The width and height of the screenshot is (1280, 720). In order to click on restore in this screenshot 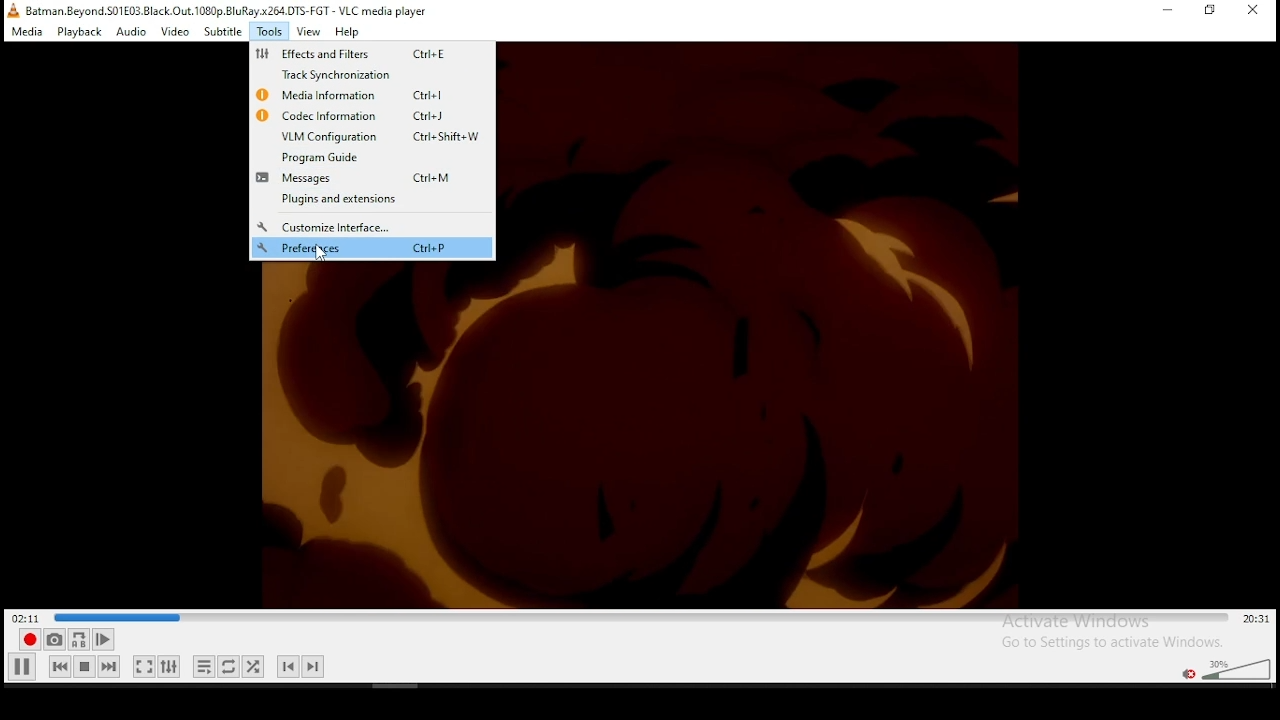, I will do `click(1210, 11)`.